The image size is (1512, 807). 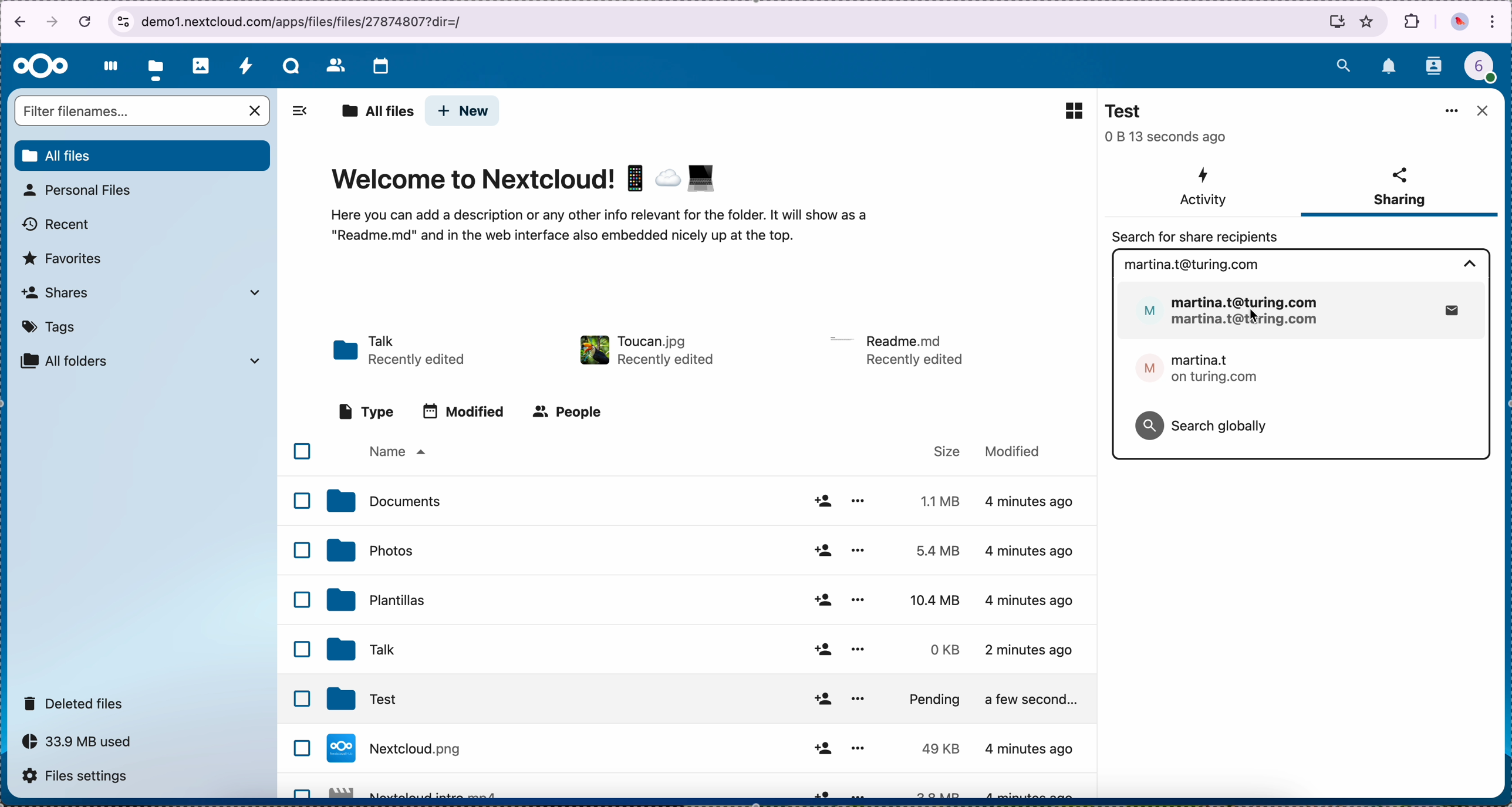 What do you see at coordinates (50, 327) in the screenshot?
I see `tags` at bounding box center [50, 327].